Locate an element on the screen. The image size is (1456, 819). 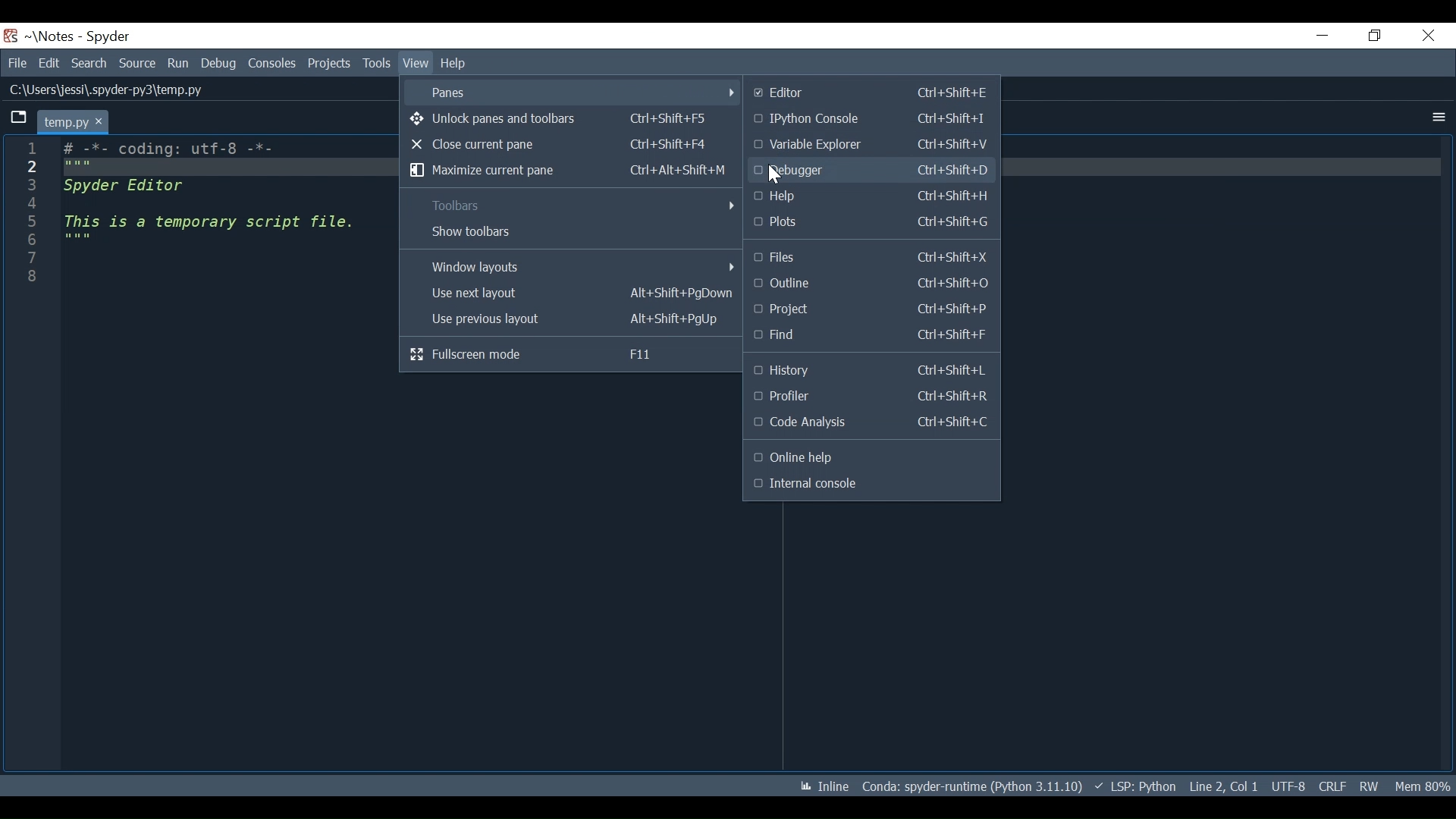
Cursor is located at coordinates (774, 173).